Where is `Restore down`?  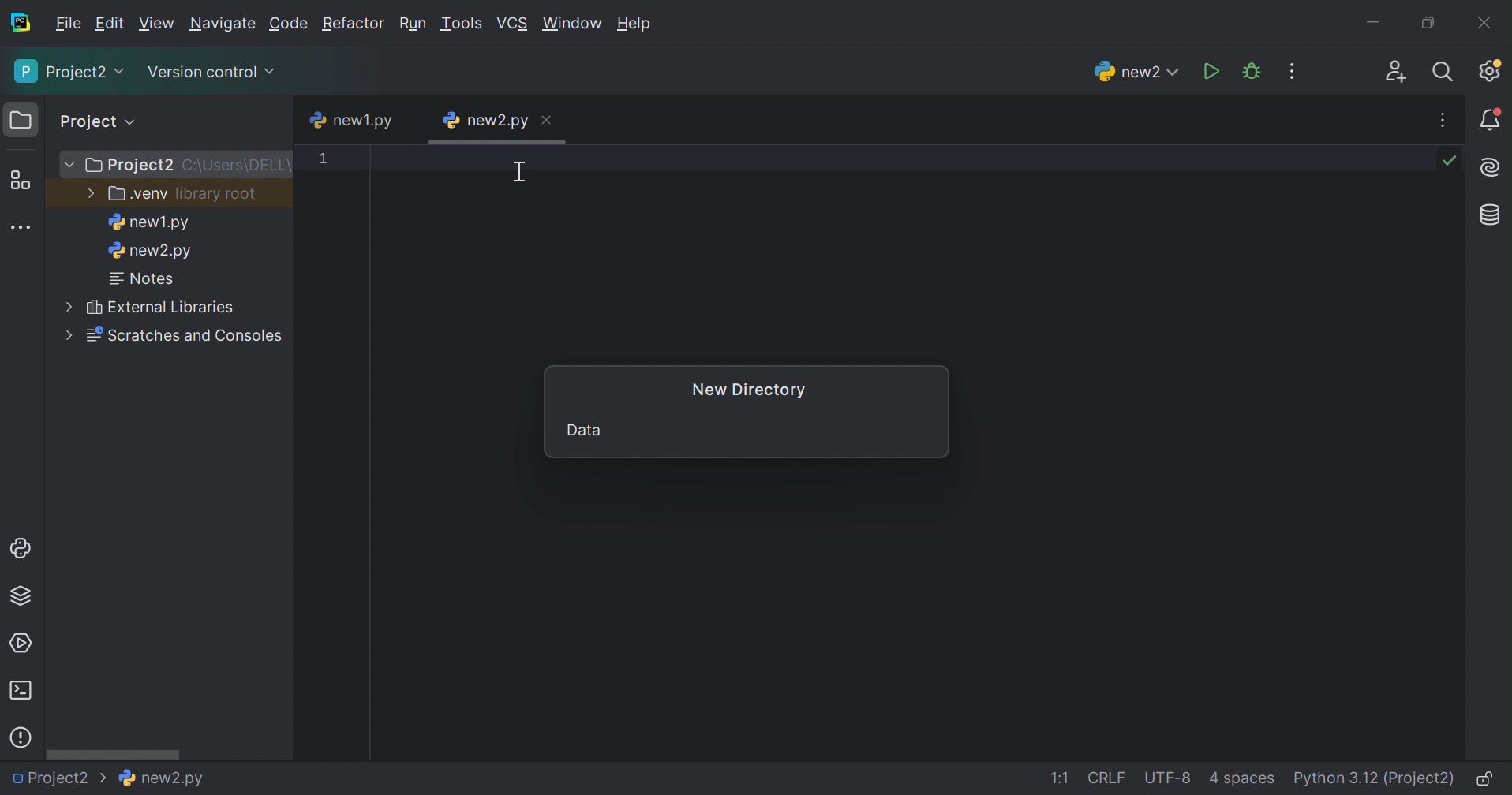
Restore down is located at coordinates (1429, 21).